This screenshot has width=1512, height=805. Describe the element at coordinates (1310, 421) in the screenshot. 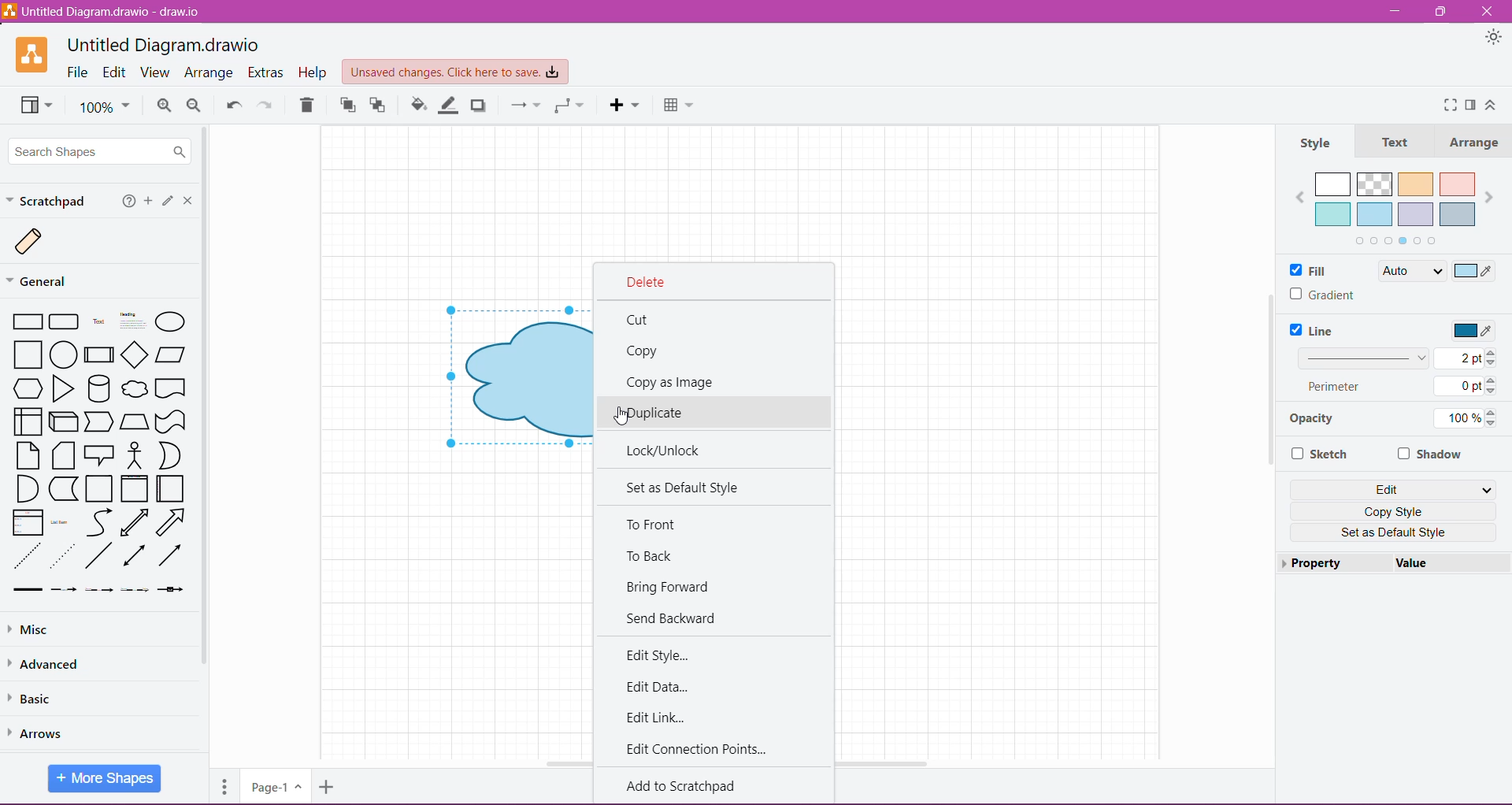

I see `Opacity` at that location.